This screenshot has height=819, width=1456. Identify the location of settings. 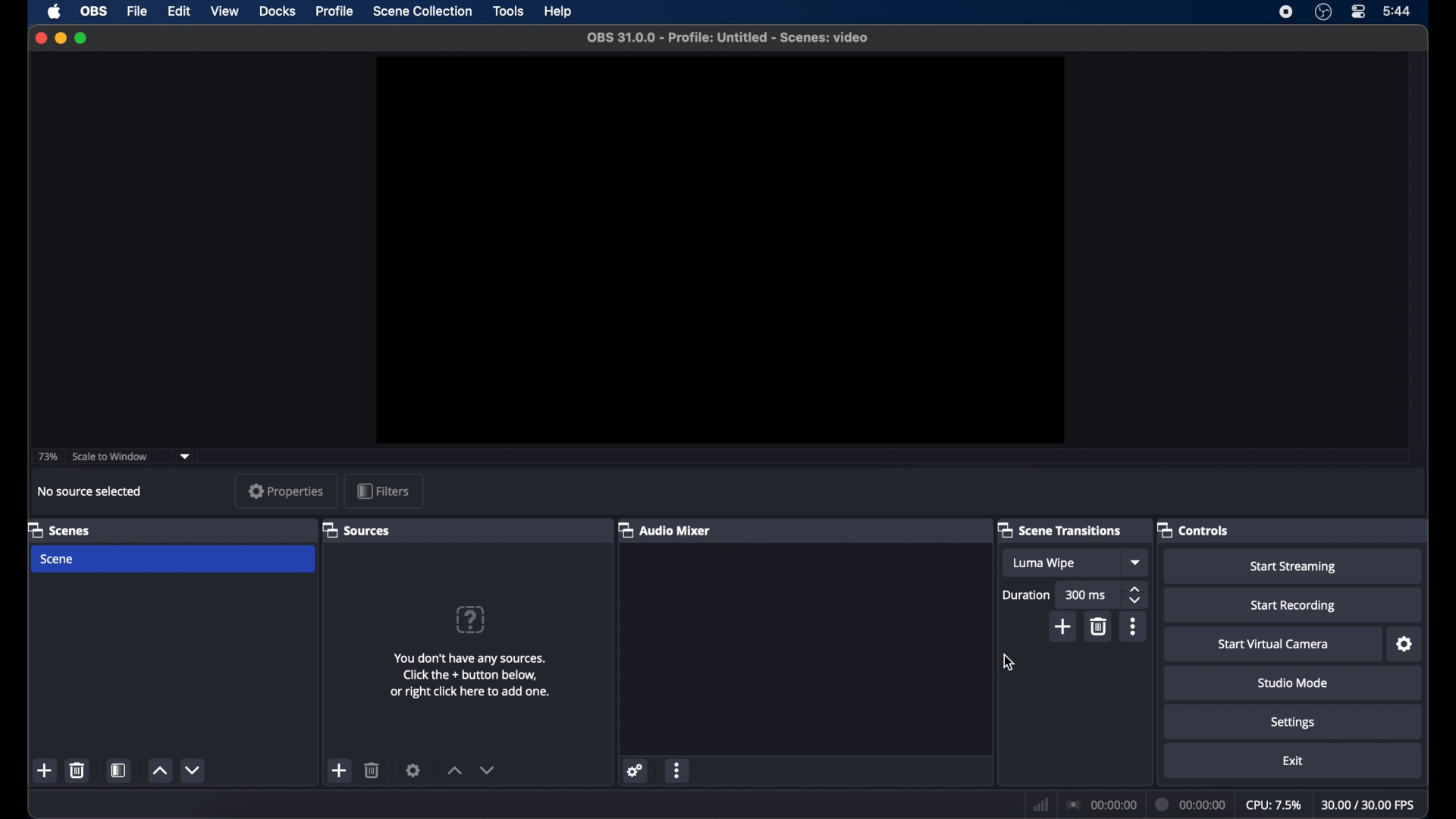
(635, 772).